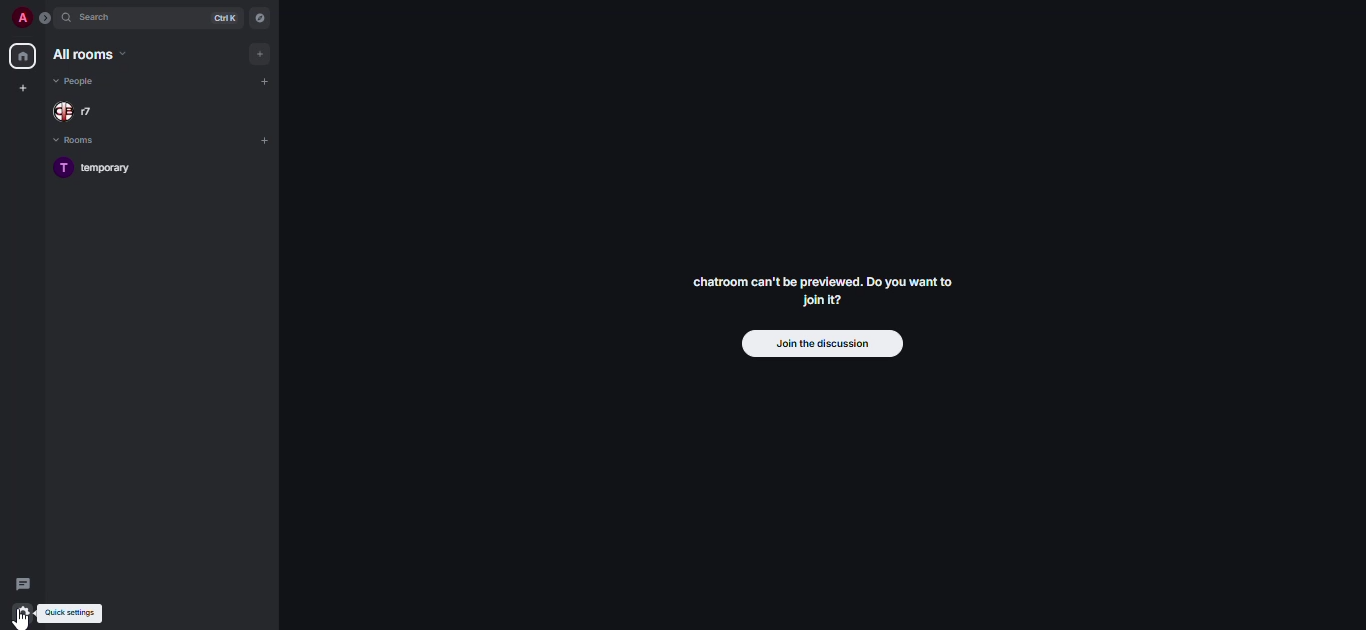 The height and width of the screenshot is (630, 1366). I want to click on people, so click(82, 82).